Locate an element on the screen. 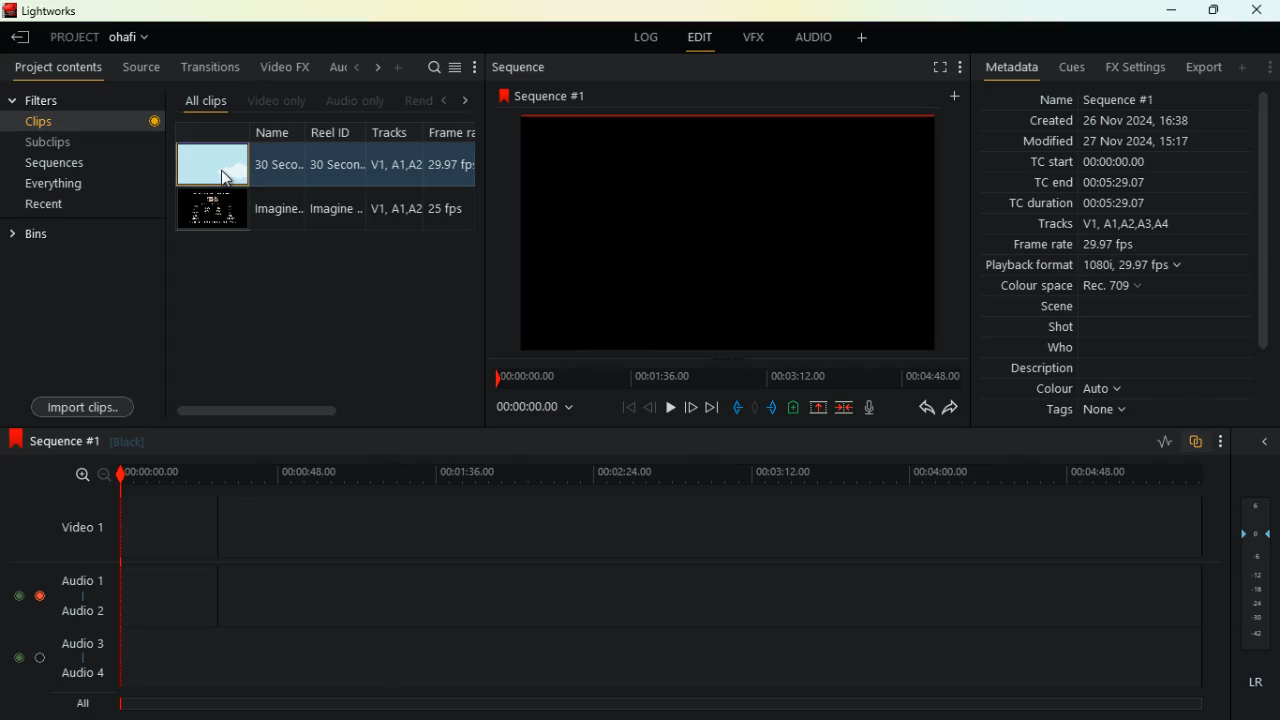 This screenshot has height=720, width=1280. everything is located at coordinates (61, 184).